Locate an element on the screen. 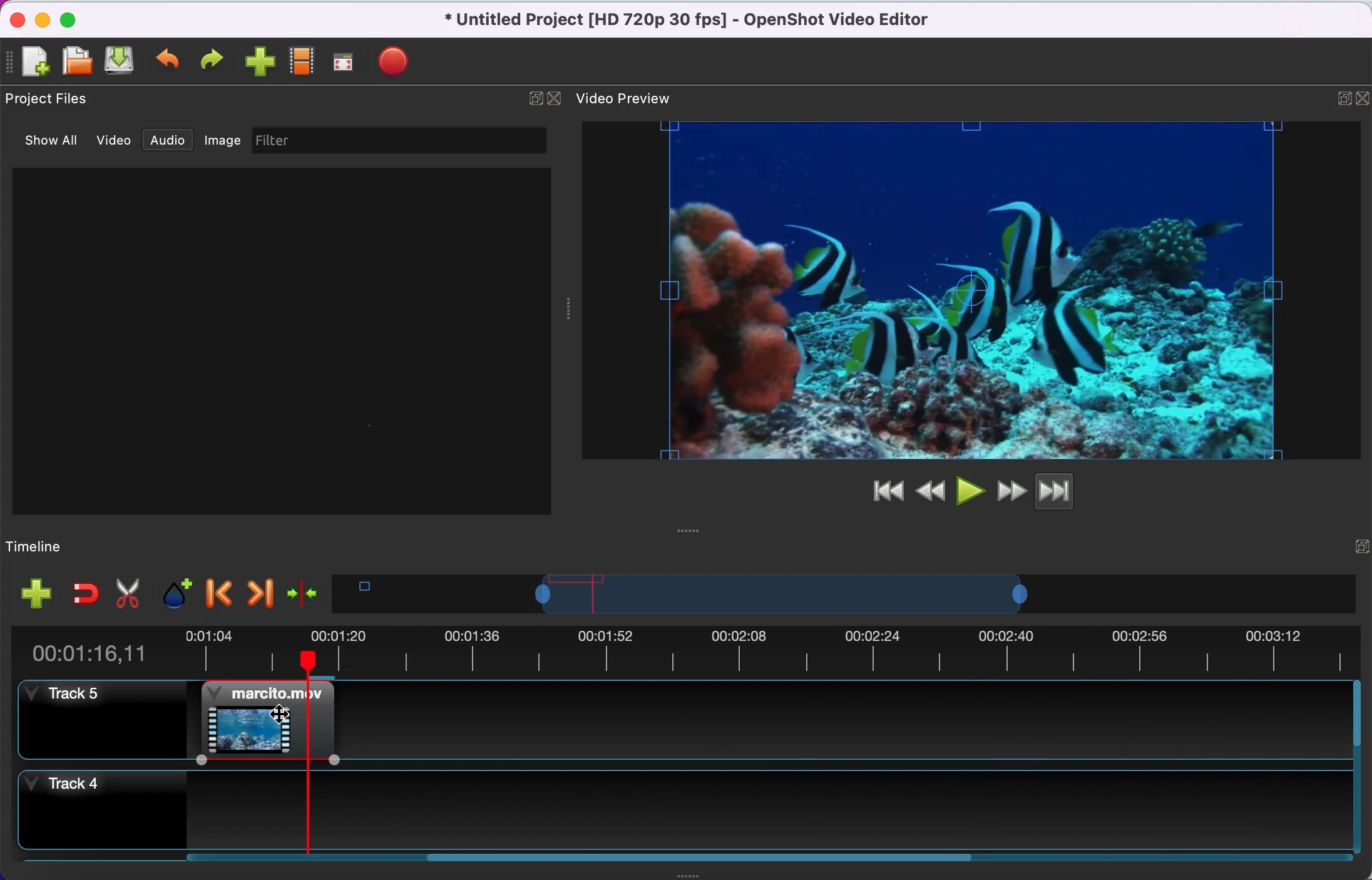  add marker is located at coordinates (174, 592).